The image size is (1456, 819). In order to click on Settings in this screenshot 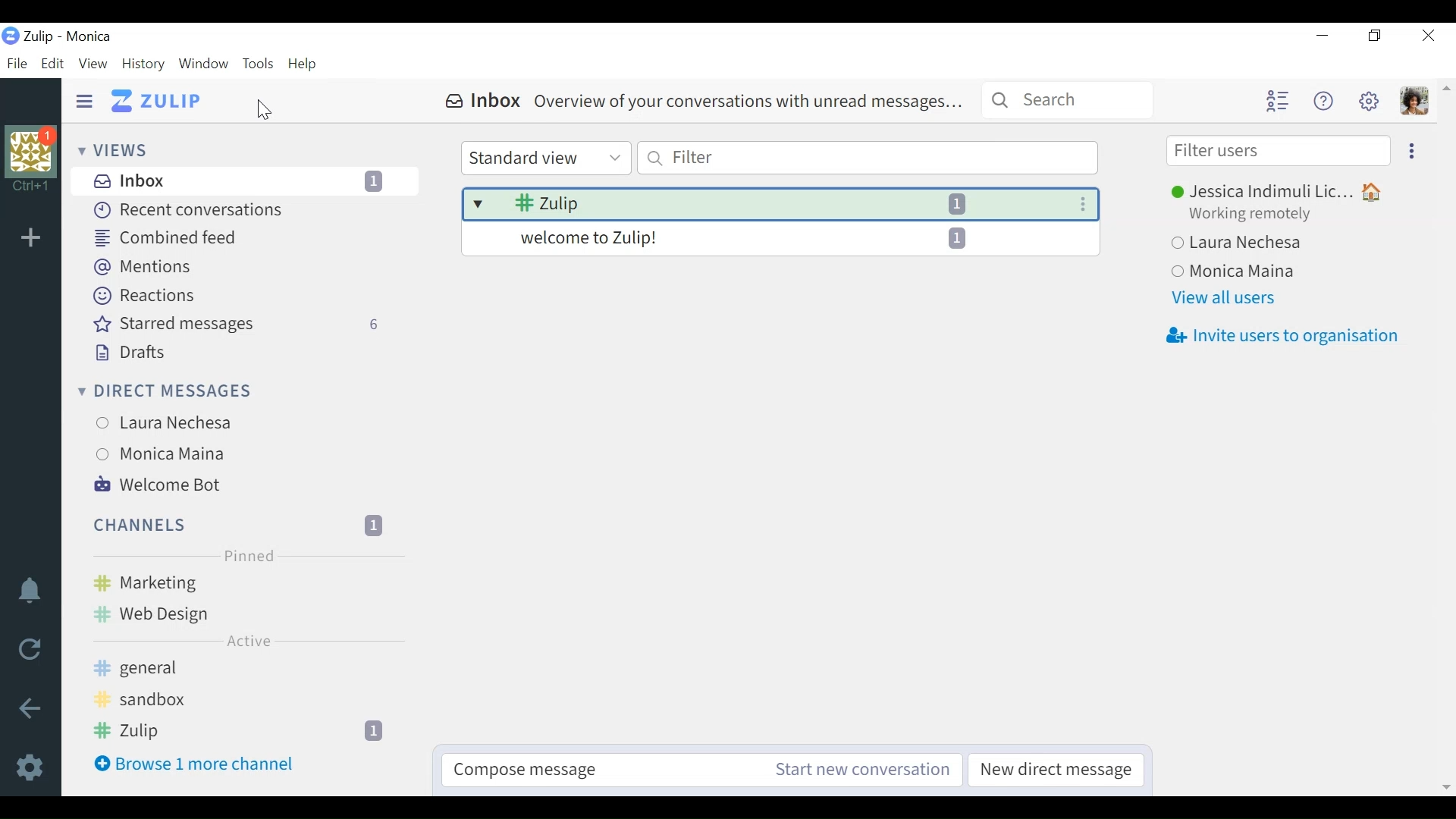, I will do `click(30, 767)`.